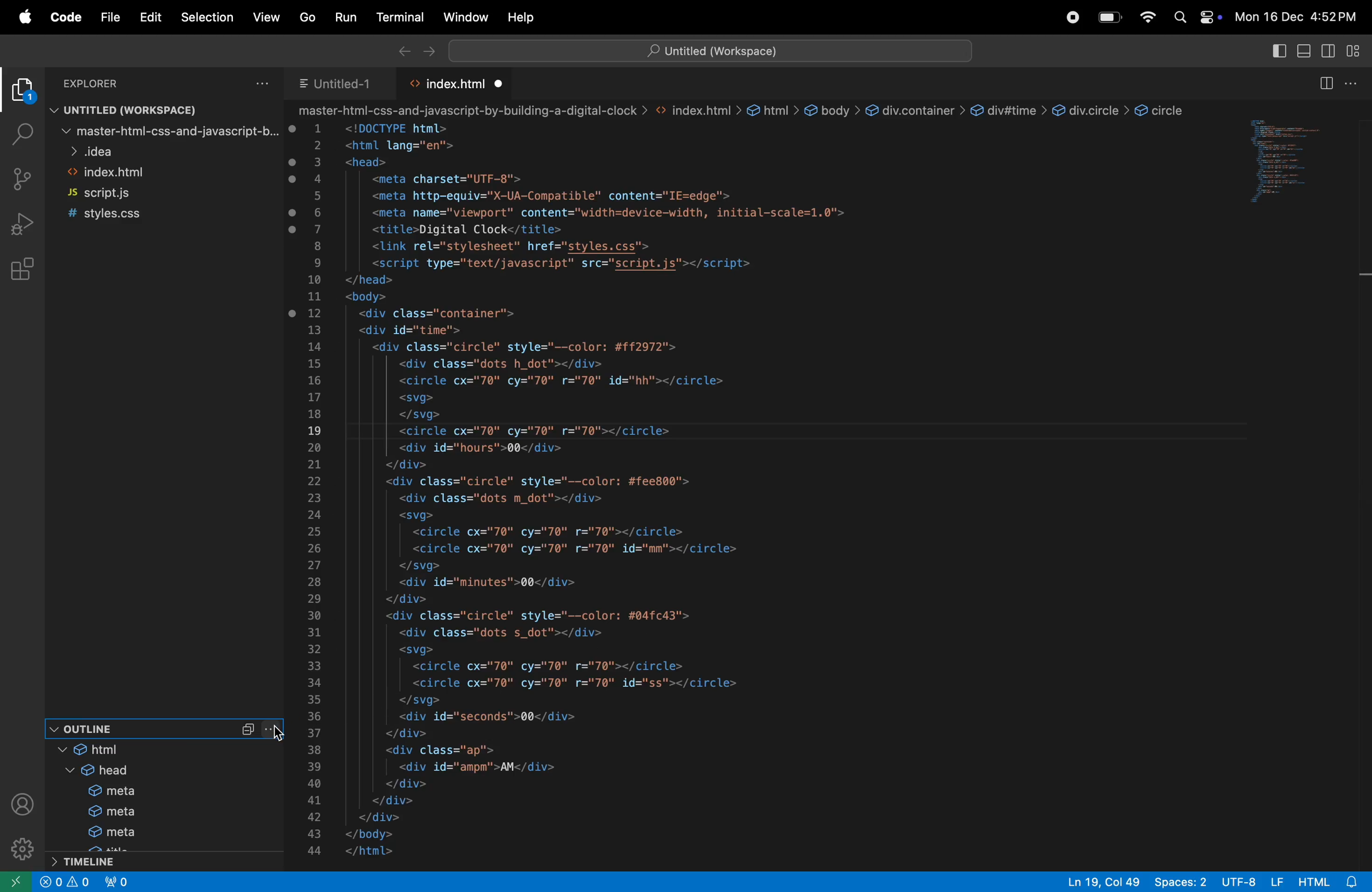 This screenshot has width=1372, height=892. I want to click on apple widgets, so click(1194, 14).